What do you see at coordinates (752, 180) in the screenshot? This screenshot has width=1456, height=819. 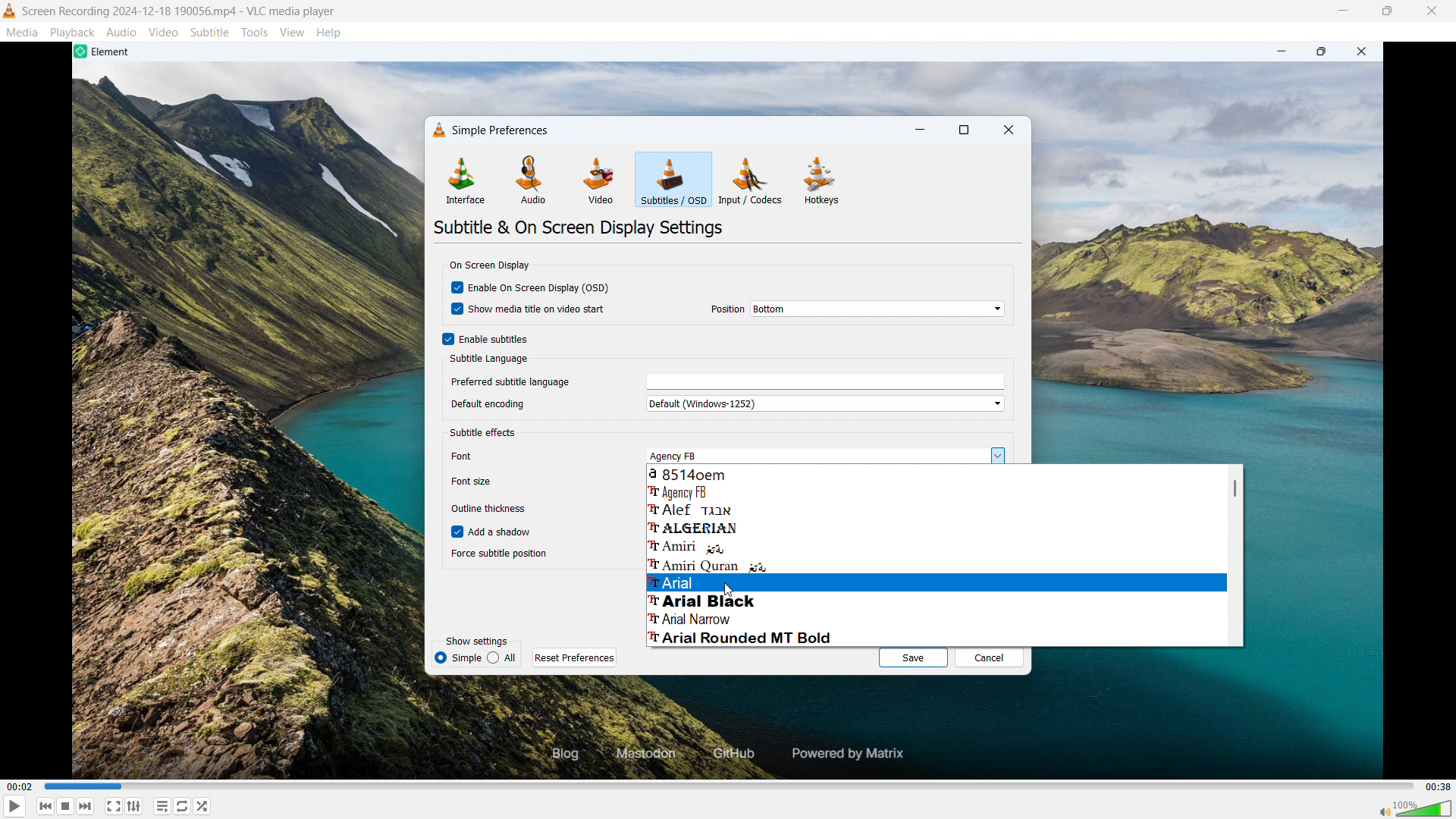 I see `inputs/codecs` at bounding box center [752, 180].